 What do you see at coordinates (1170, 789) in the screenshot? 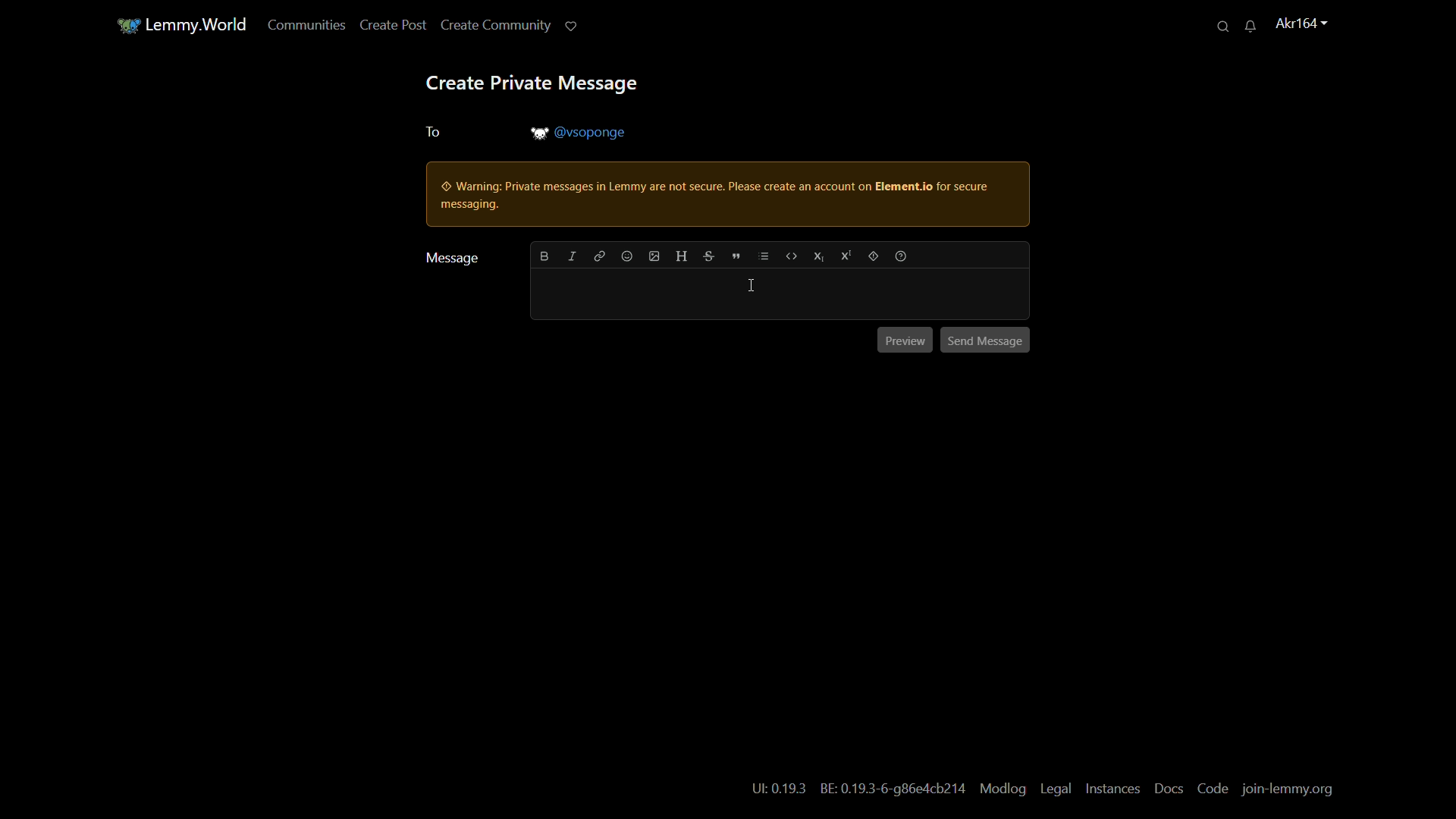
I see `docs` at bounding box center [1170, 789].